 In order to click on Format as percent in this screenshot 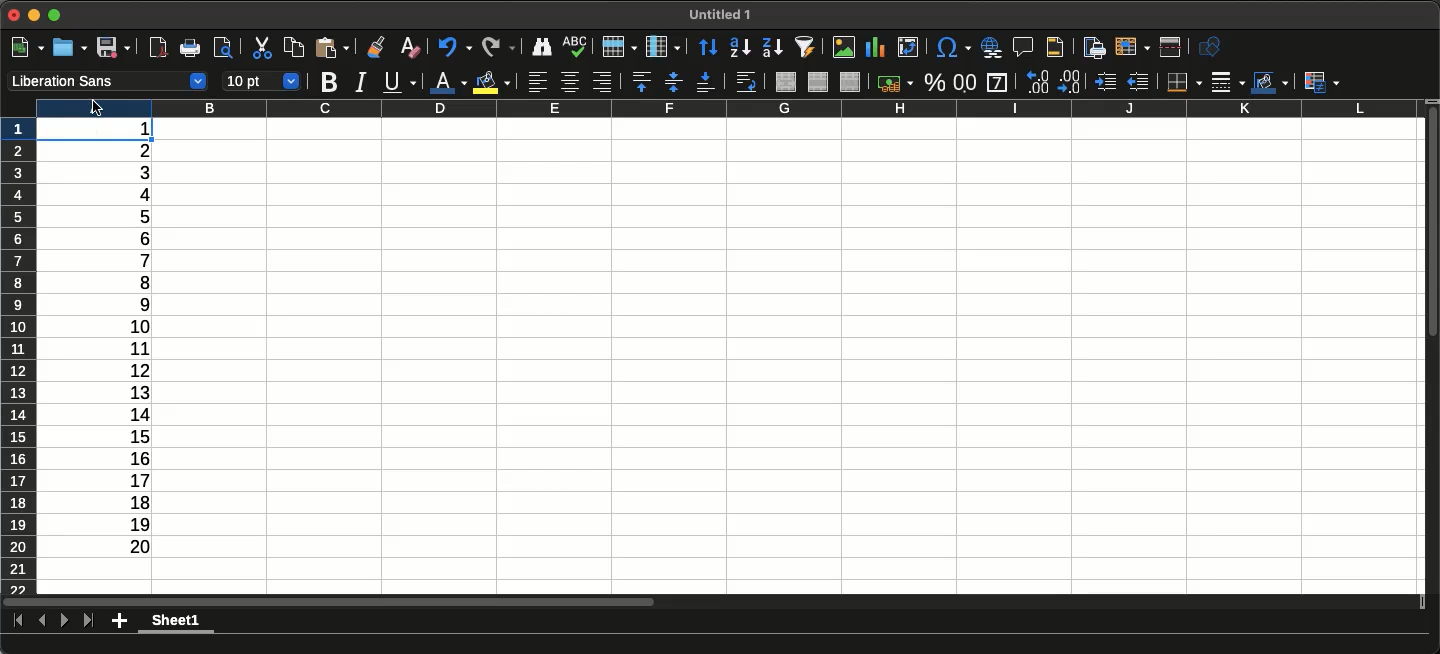, I will do `click(934, 82)`.